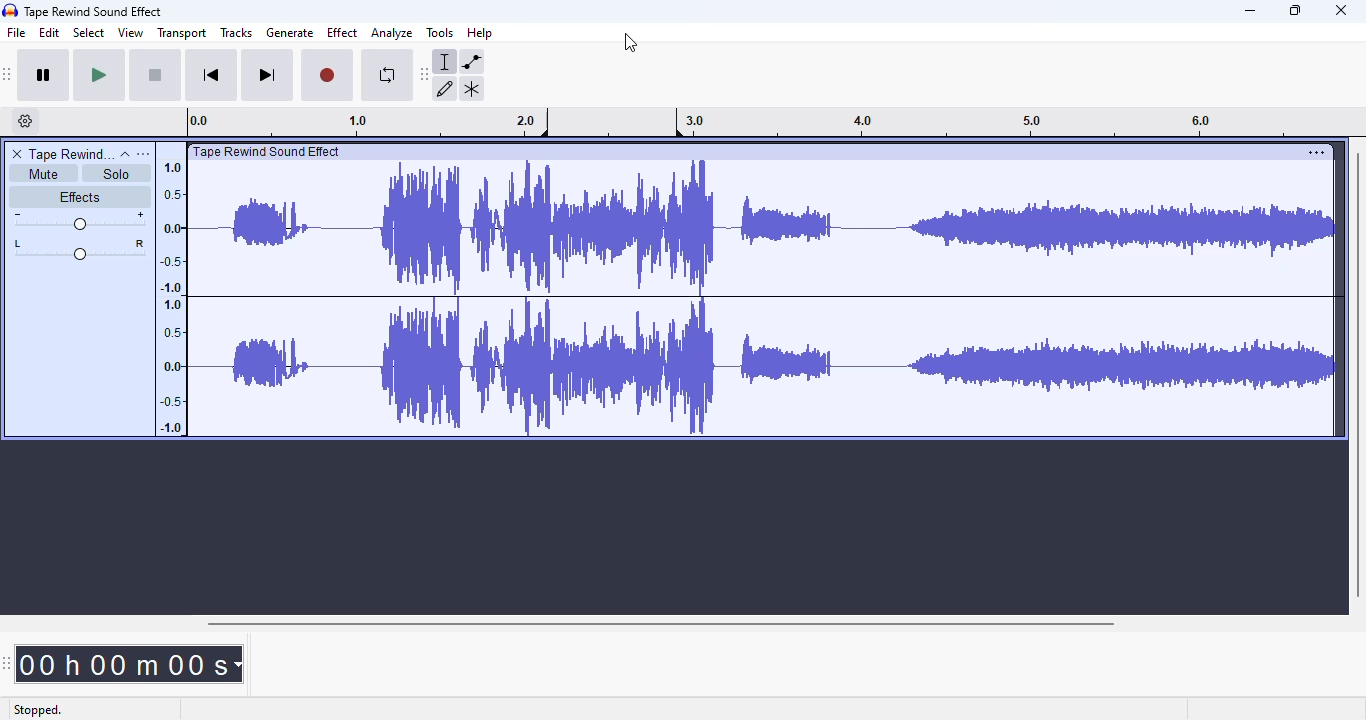 The width and height of the screenshot is (1366, 720). I want to click on envelope tool, so click(472, 62).